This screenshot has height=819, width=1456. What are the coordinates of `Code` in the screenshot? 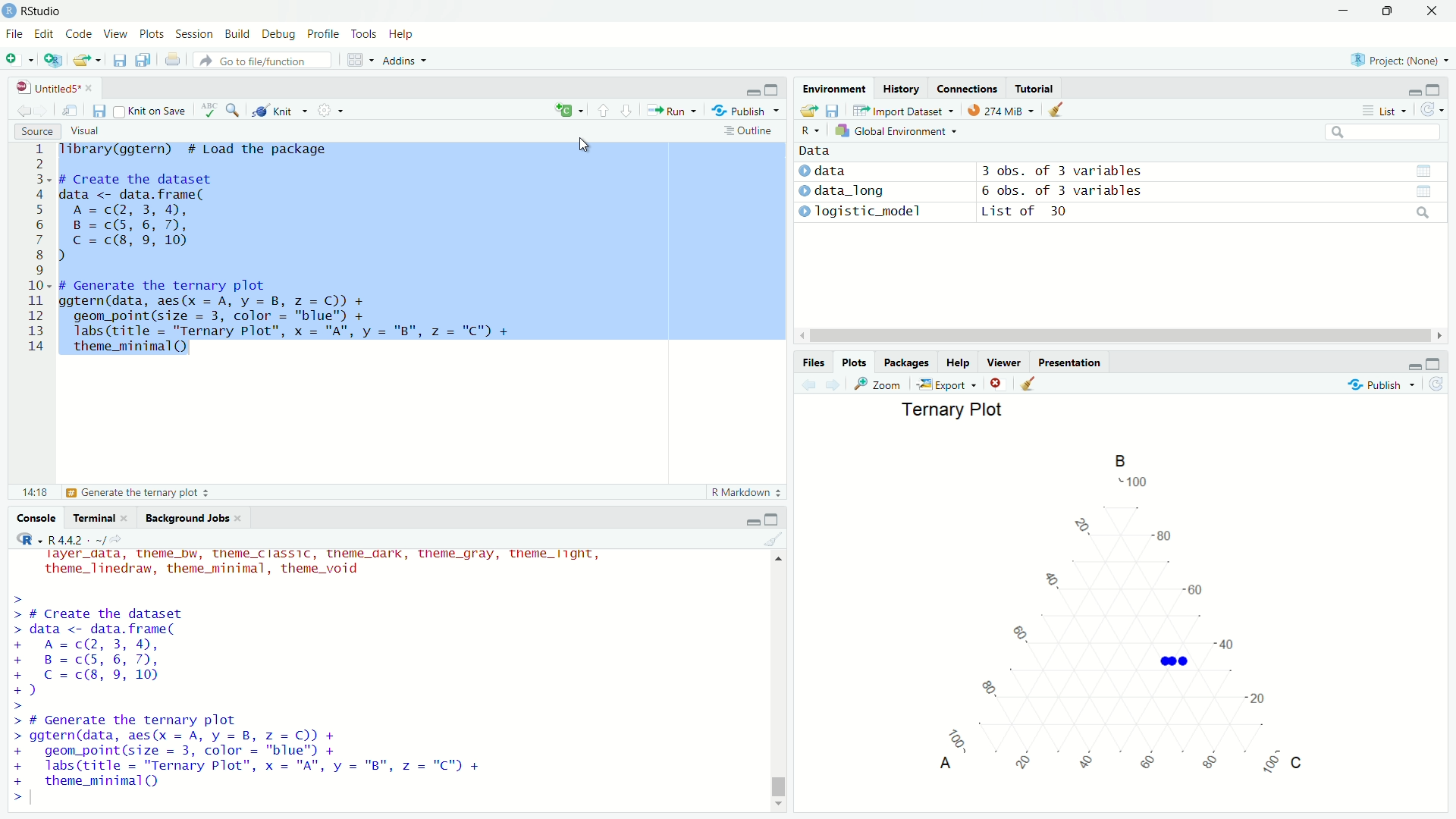 It's located at (76, 34).